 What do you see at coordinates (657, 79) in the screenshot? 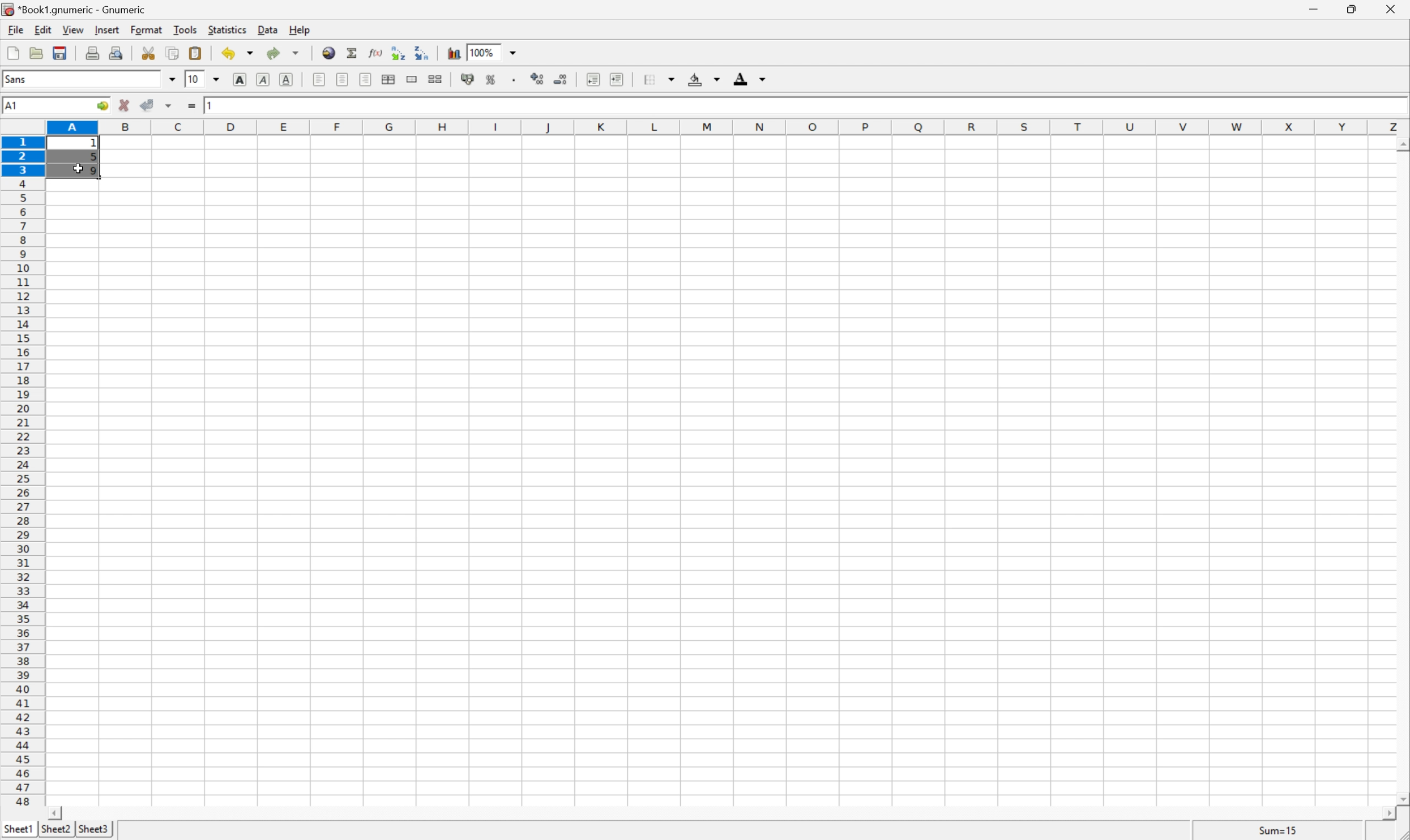
I see `borders` at bounding box center [657, 79].